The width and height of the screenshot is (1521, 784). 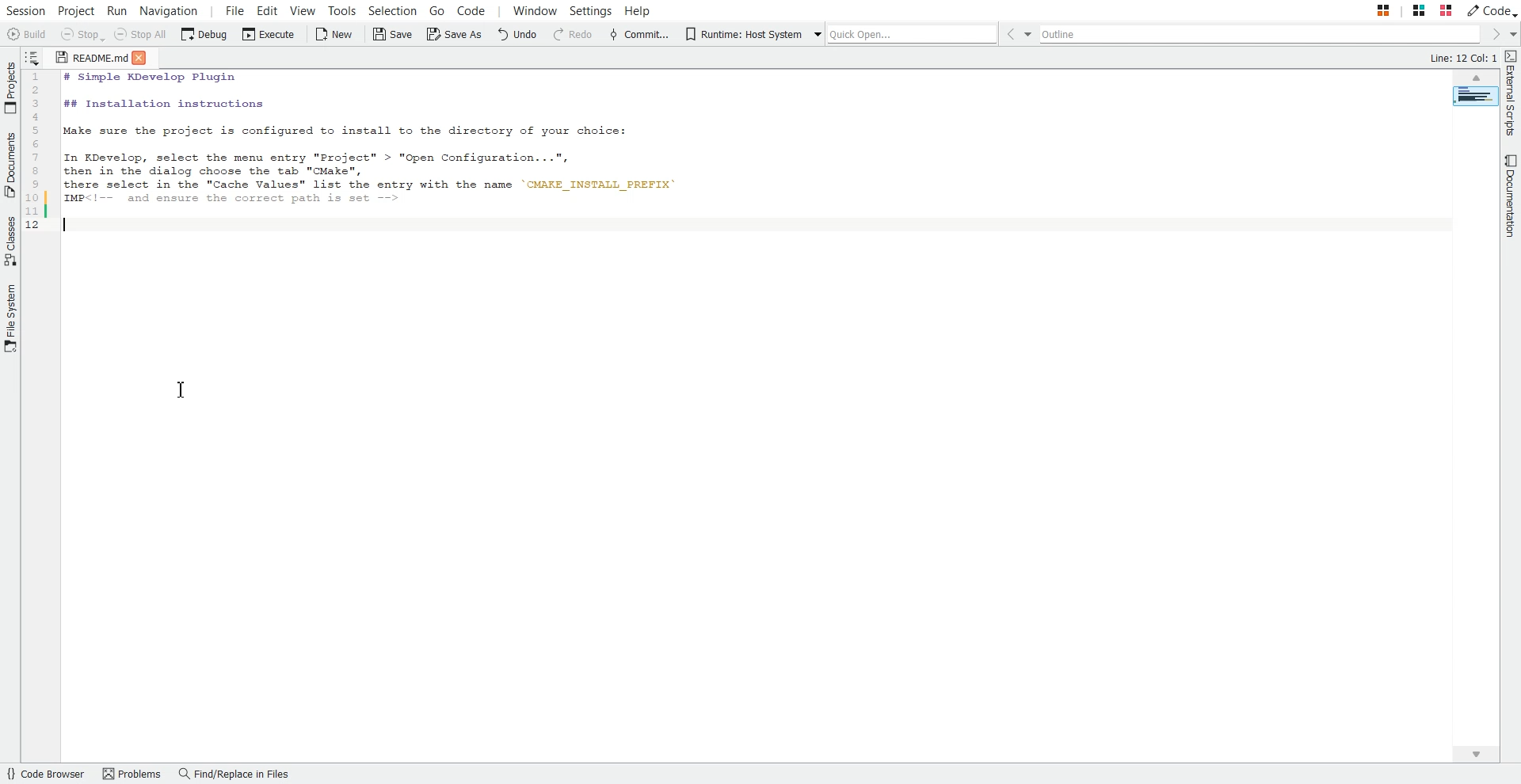 What do you see at coordinates (69, 224) in the screenshot?
I see `Text Cursor` at bounding box center [69, 224].